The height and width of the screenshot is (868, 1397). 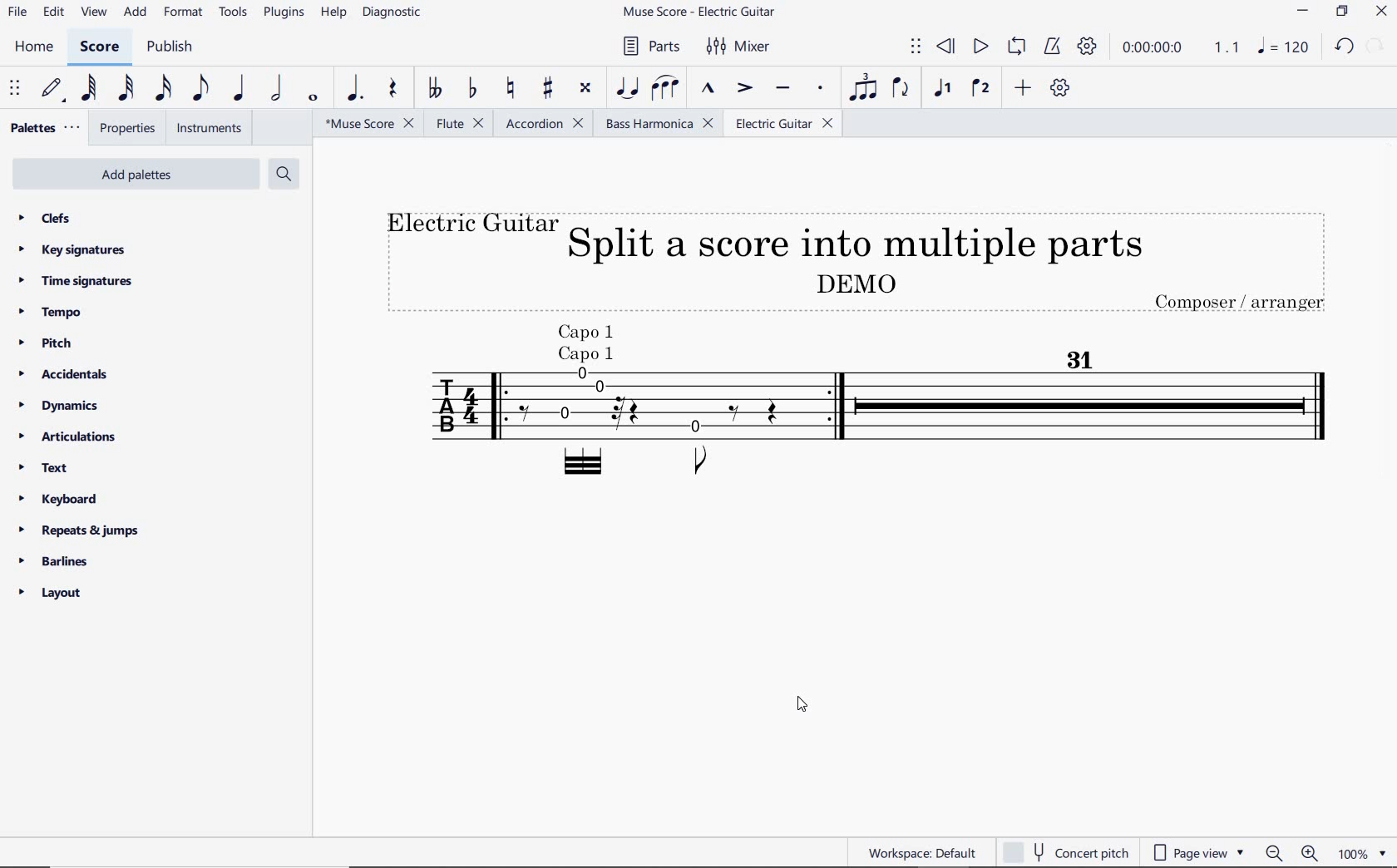 I want to click on tools, so click(x=234, y=12).